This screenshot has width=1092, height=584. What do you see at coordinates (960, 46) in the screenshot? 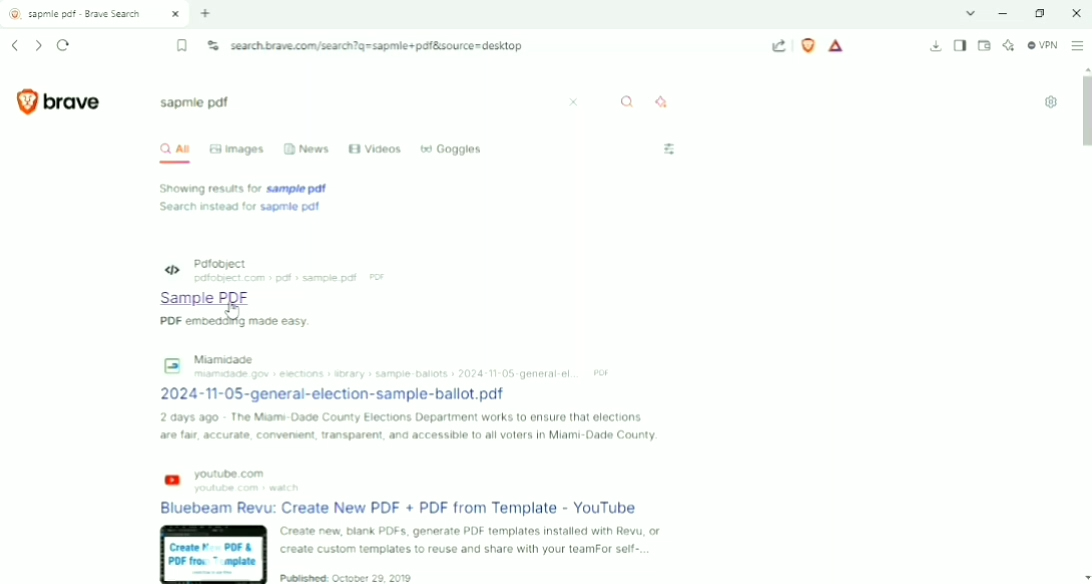
I see `Show sidebar` at bounding box center [960, 46].